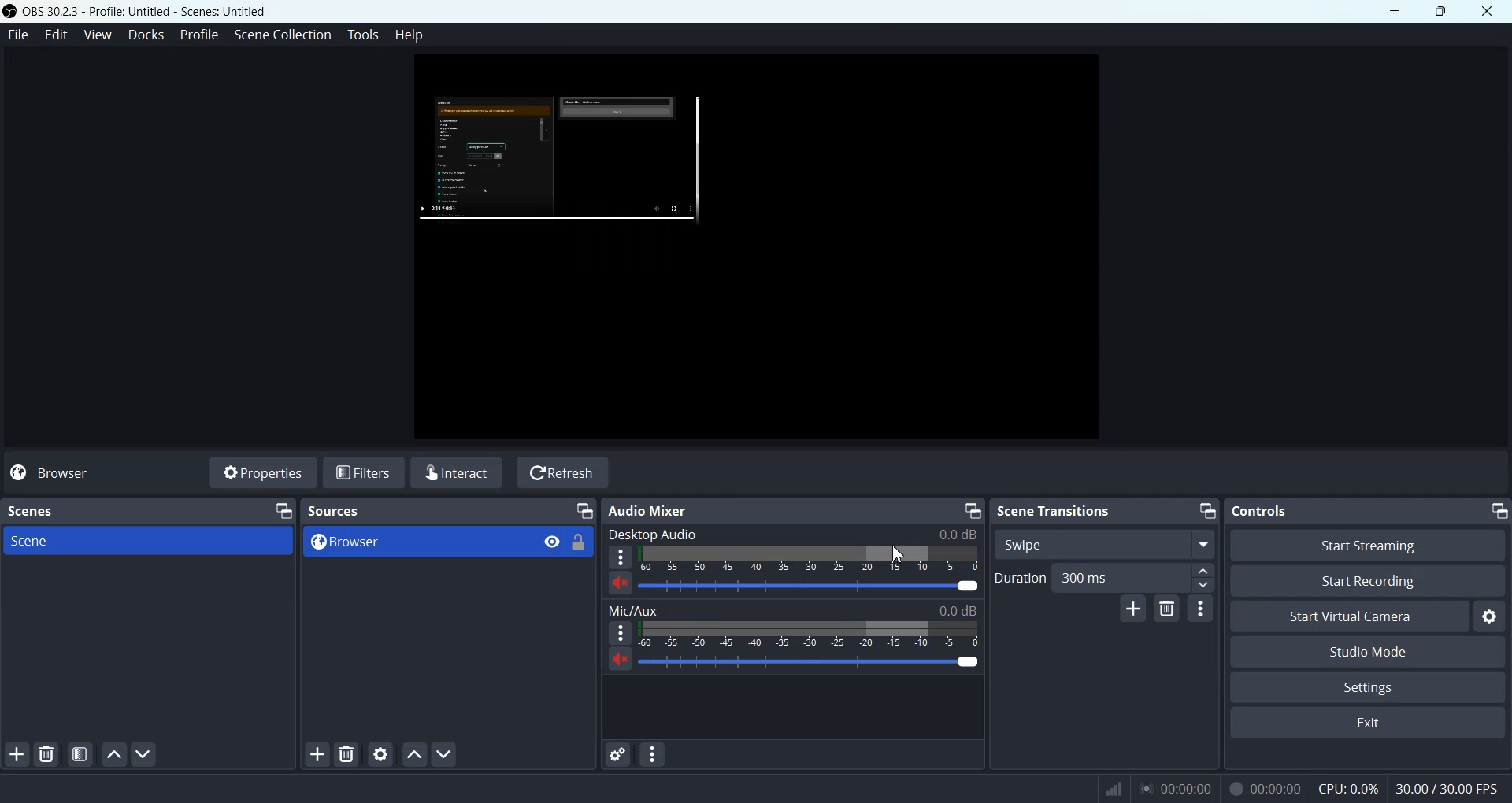  Describe the element at coordinates (552, 542) in the screenshot. I see `Eye` at that location.